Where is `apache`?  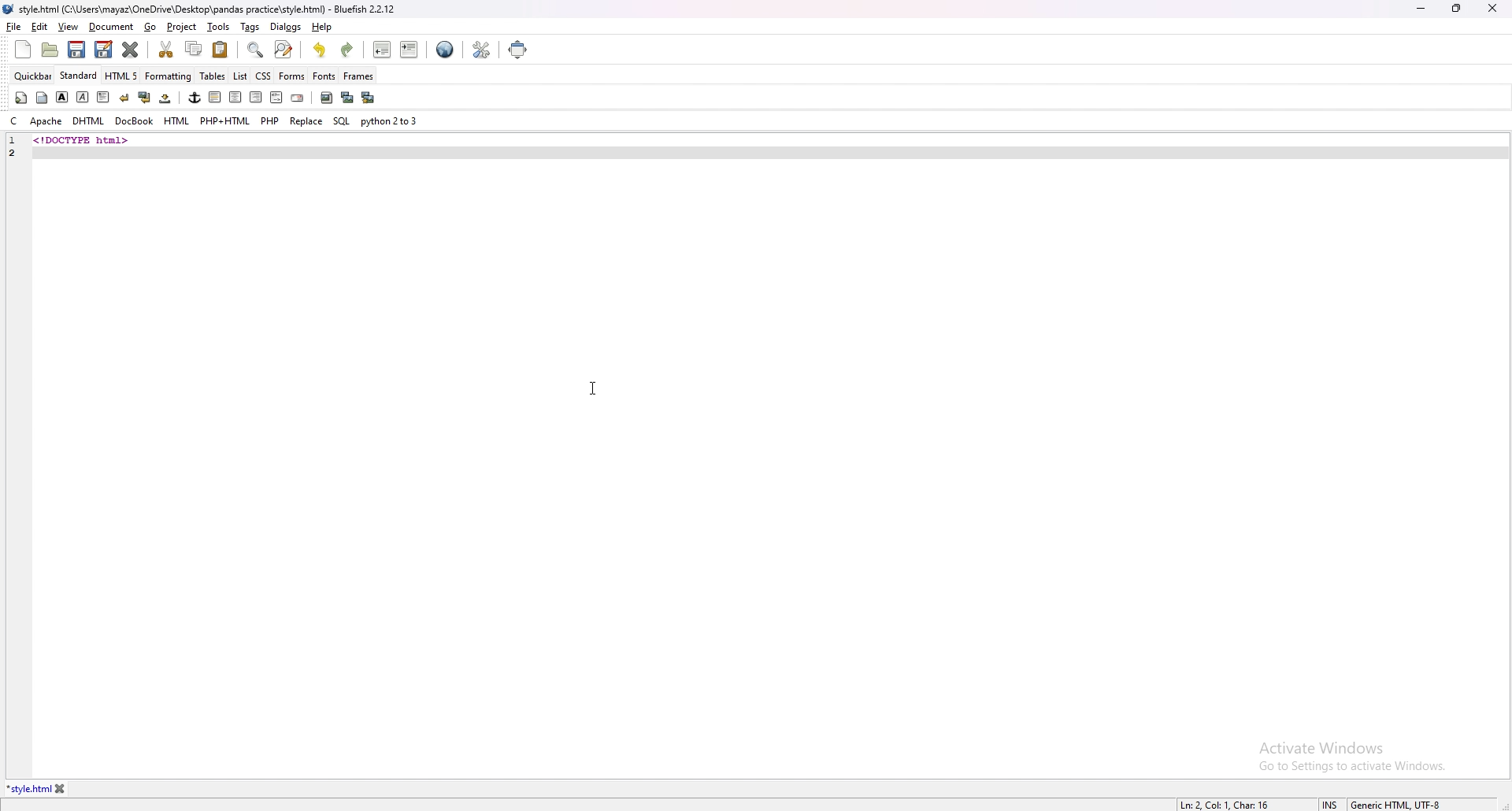
apache is located at coordinates (46, 121).